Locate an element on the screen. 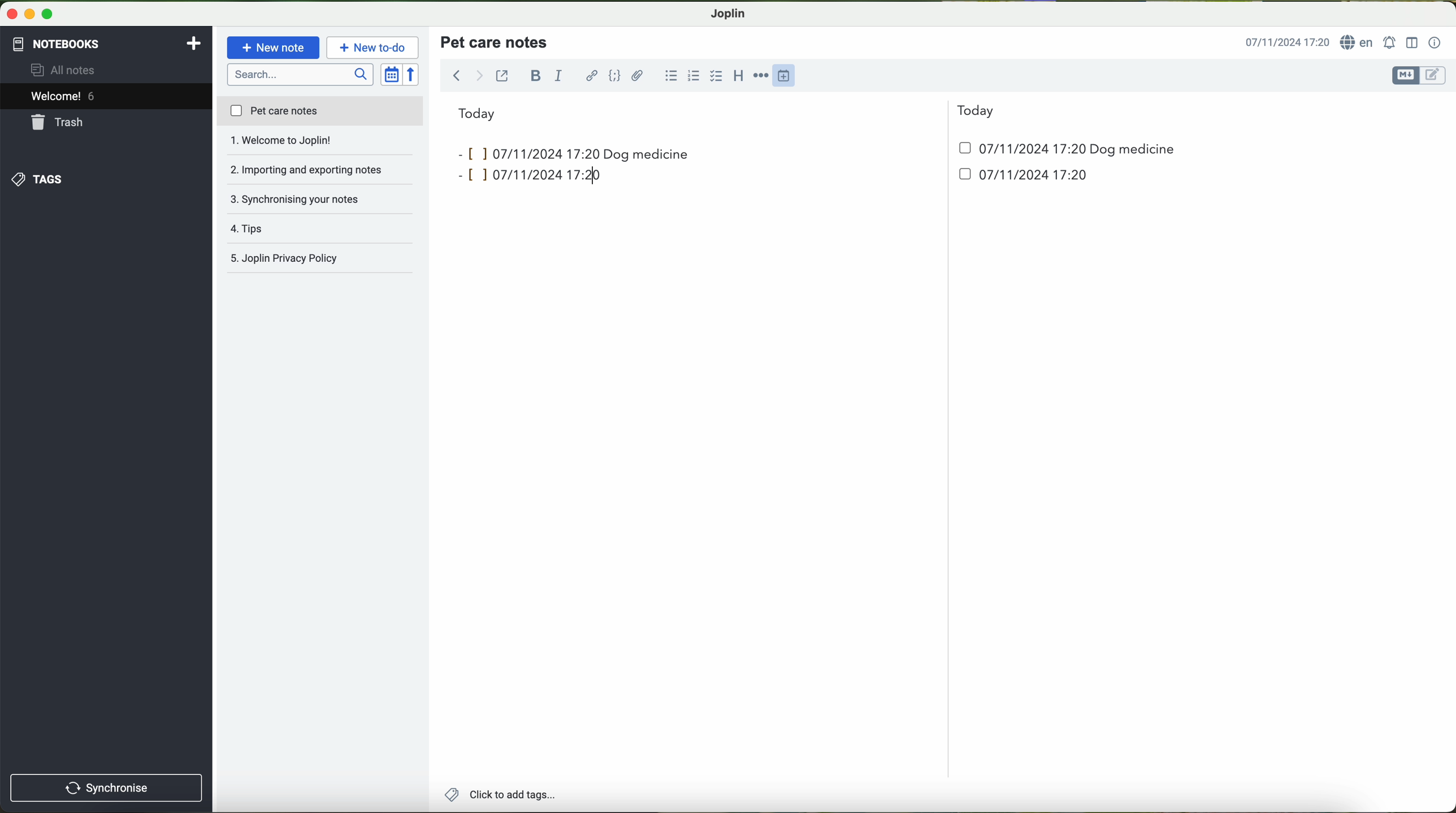  numbered list is located at coordinates (692, 76).